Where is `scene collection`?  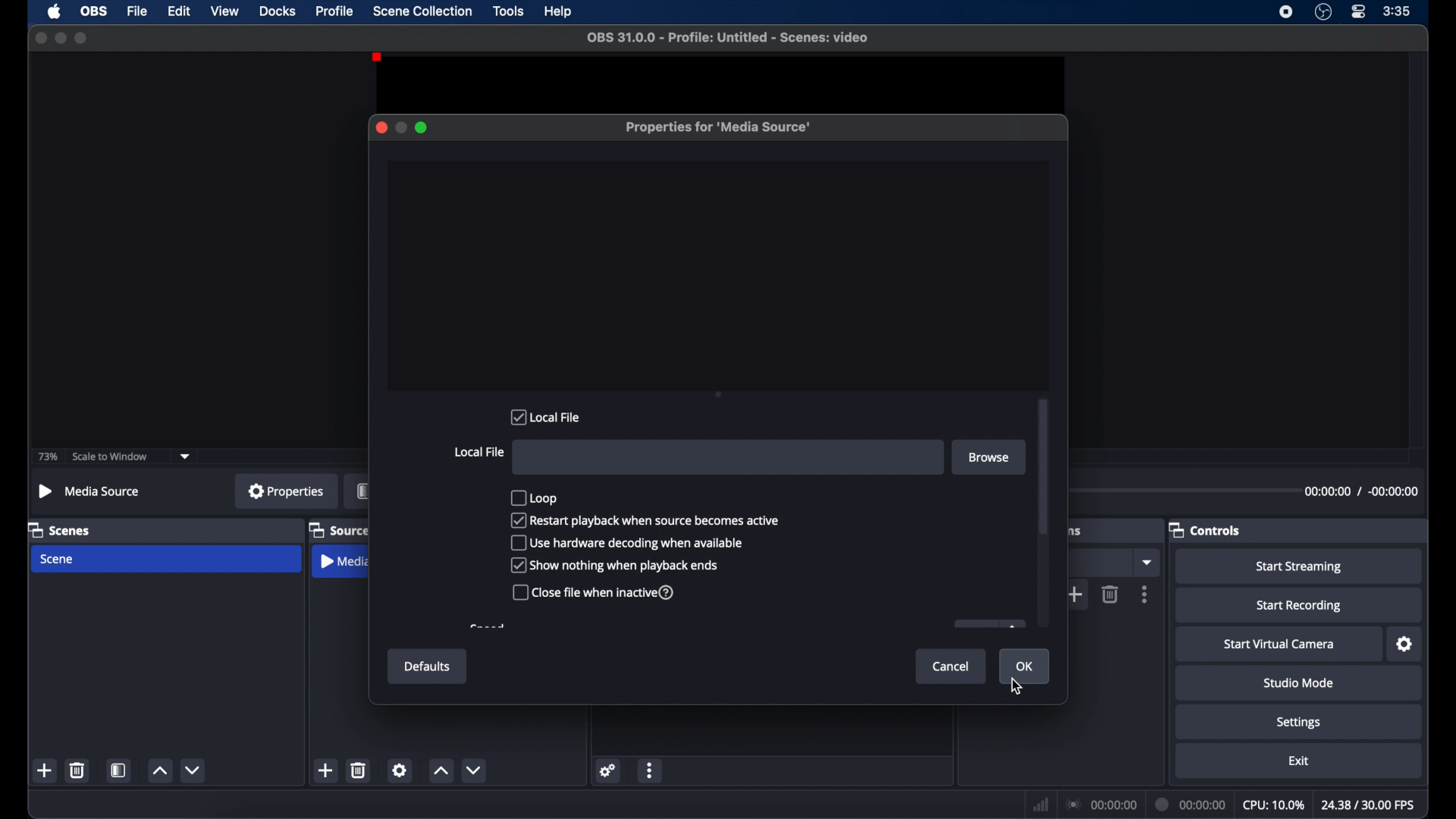
scene collection is located at coordinates (425, 11).